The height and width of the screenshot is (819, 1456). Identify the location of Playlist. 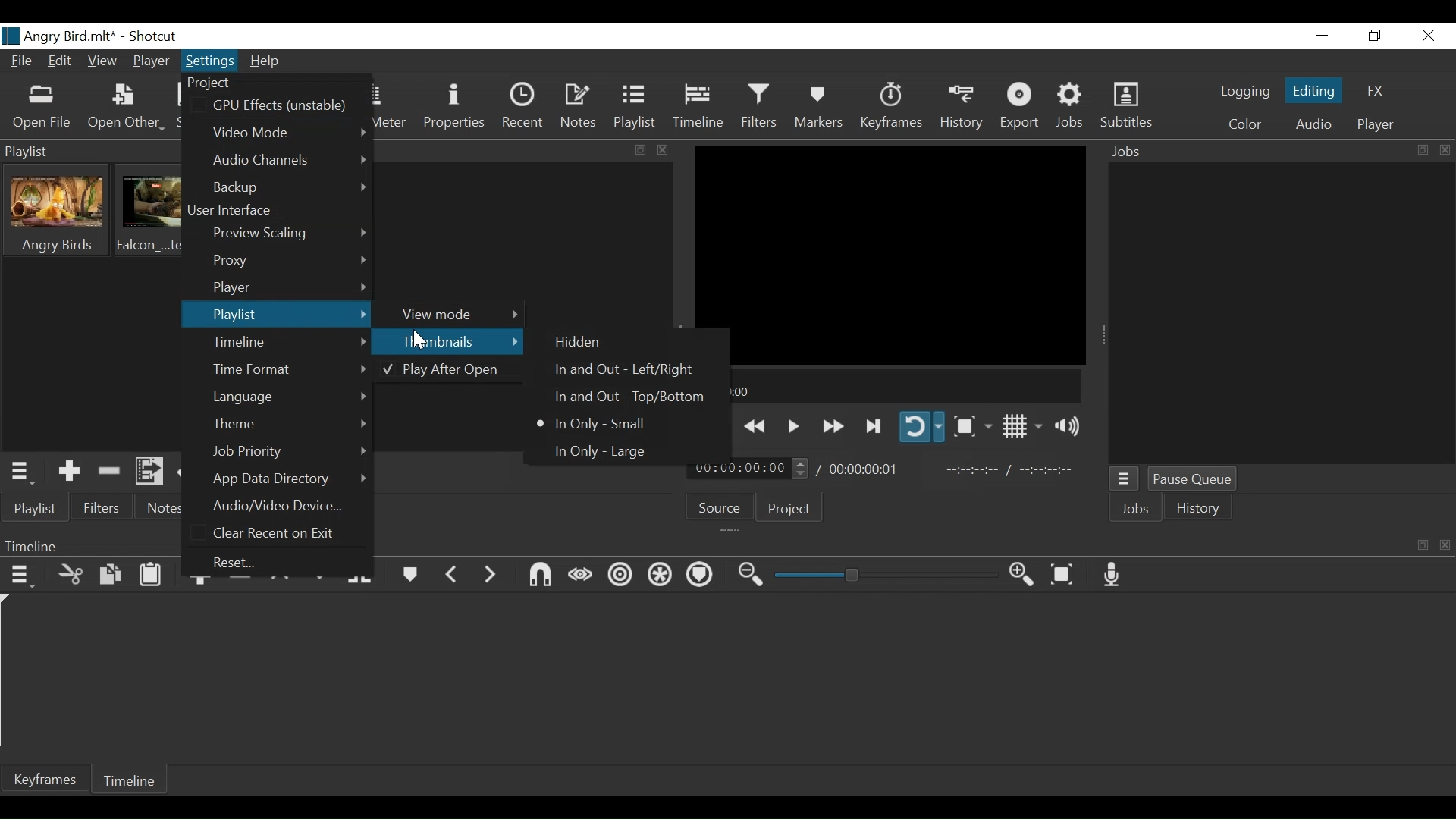
(634, 108).